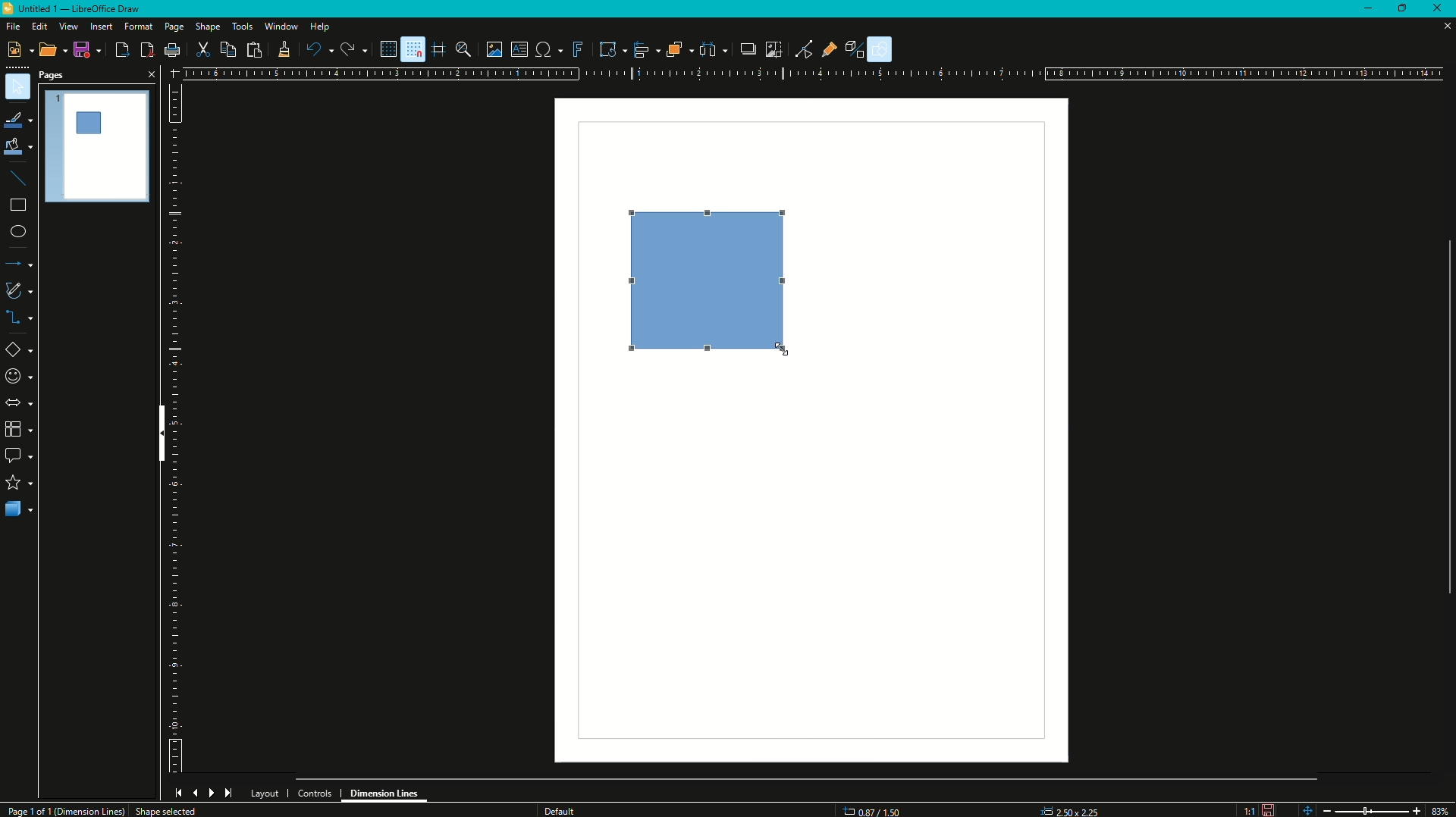 The height and width of the screenshot is (817, 1456). Describe the element at coordinates (412, 49) in the screenshot. I see `Snap to Grid` at that location.